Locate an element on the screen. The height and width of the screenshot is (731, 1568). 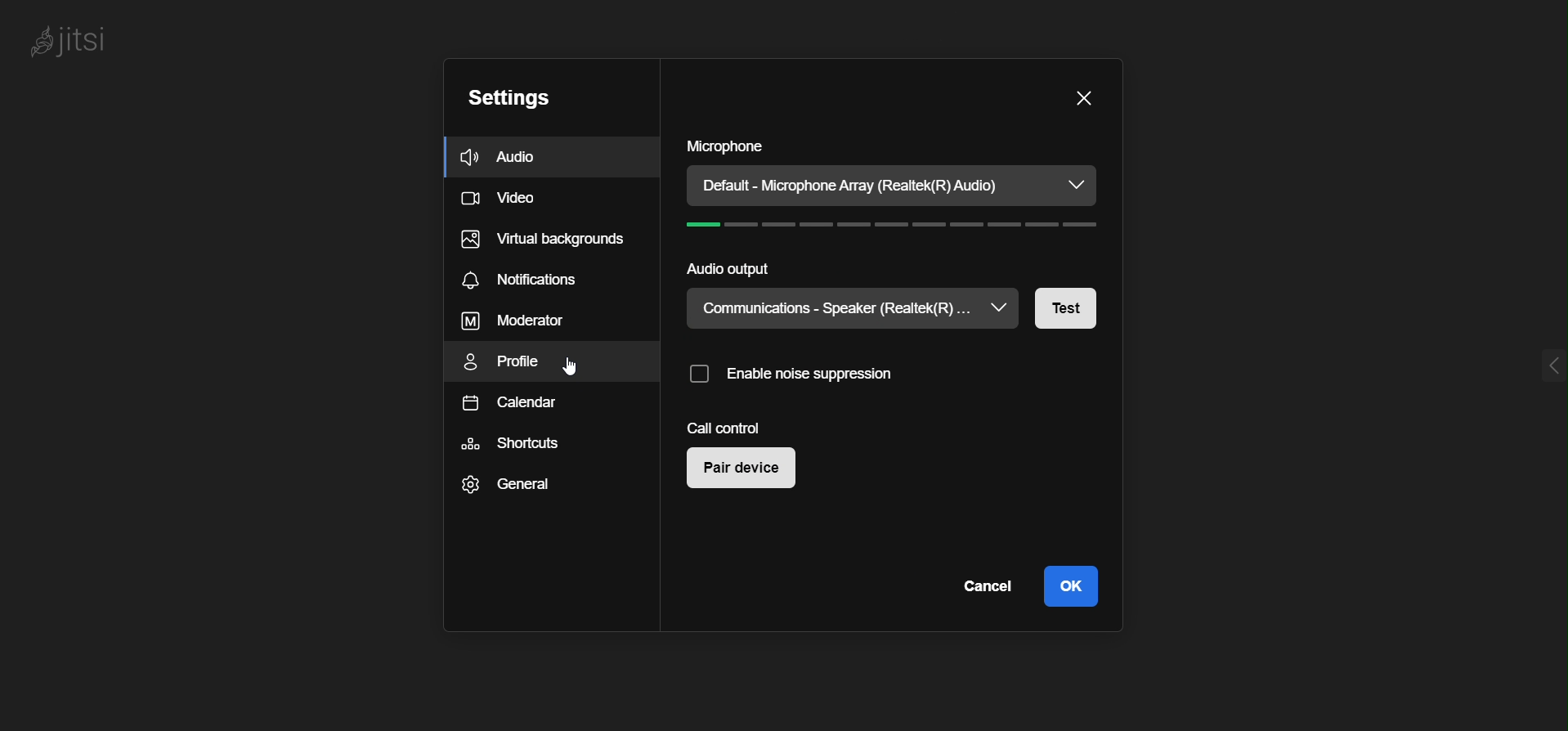
audio output is located at coordinates (733, 268).